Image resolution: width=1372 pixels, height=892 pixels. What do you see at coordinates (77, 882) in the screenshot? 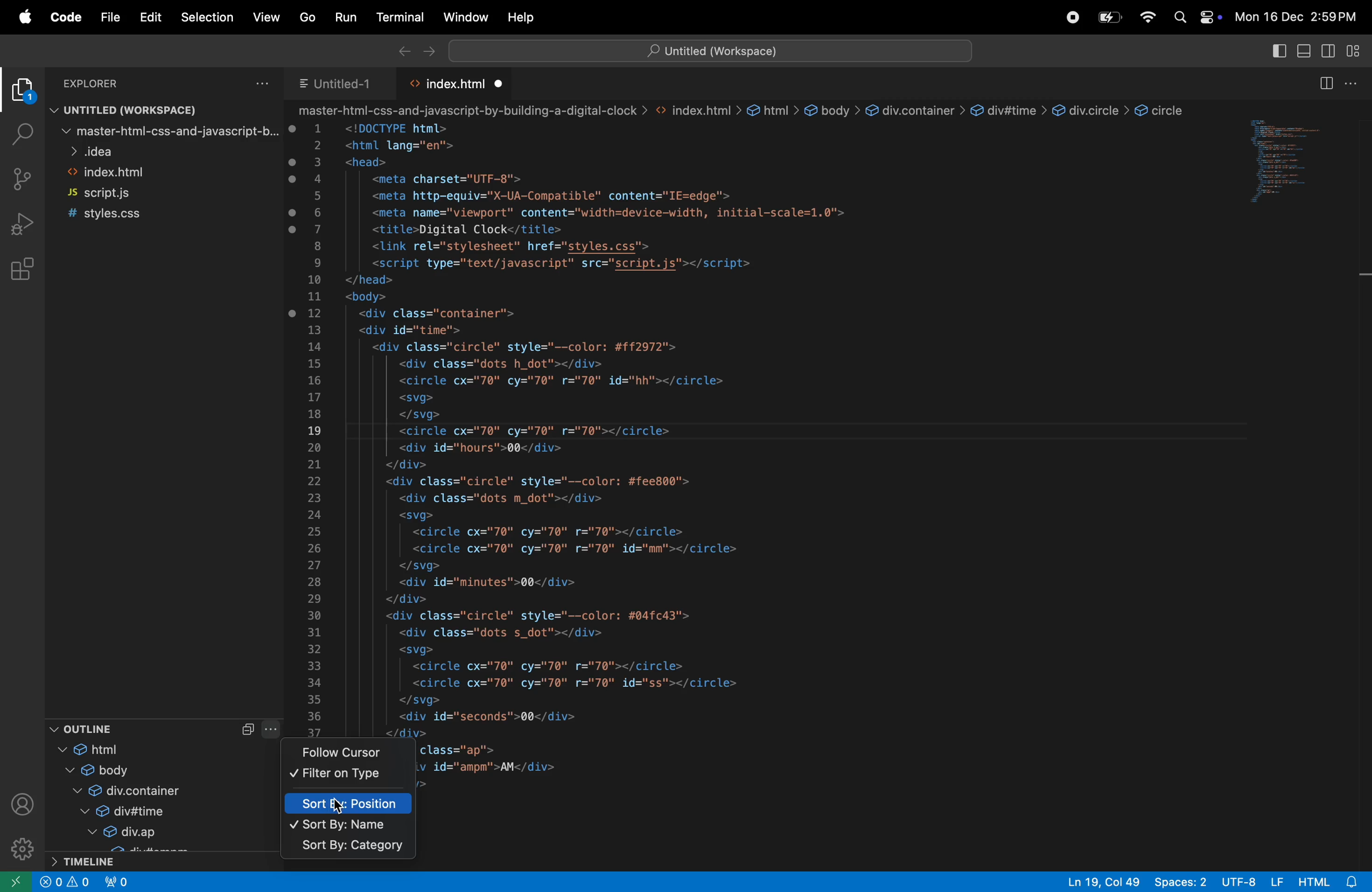
I see `create alert` at bounding box center [77, 882].